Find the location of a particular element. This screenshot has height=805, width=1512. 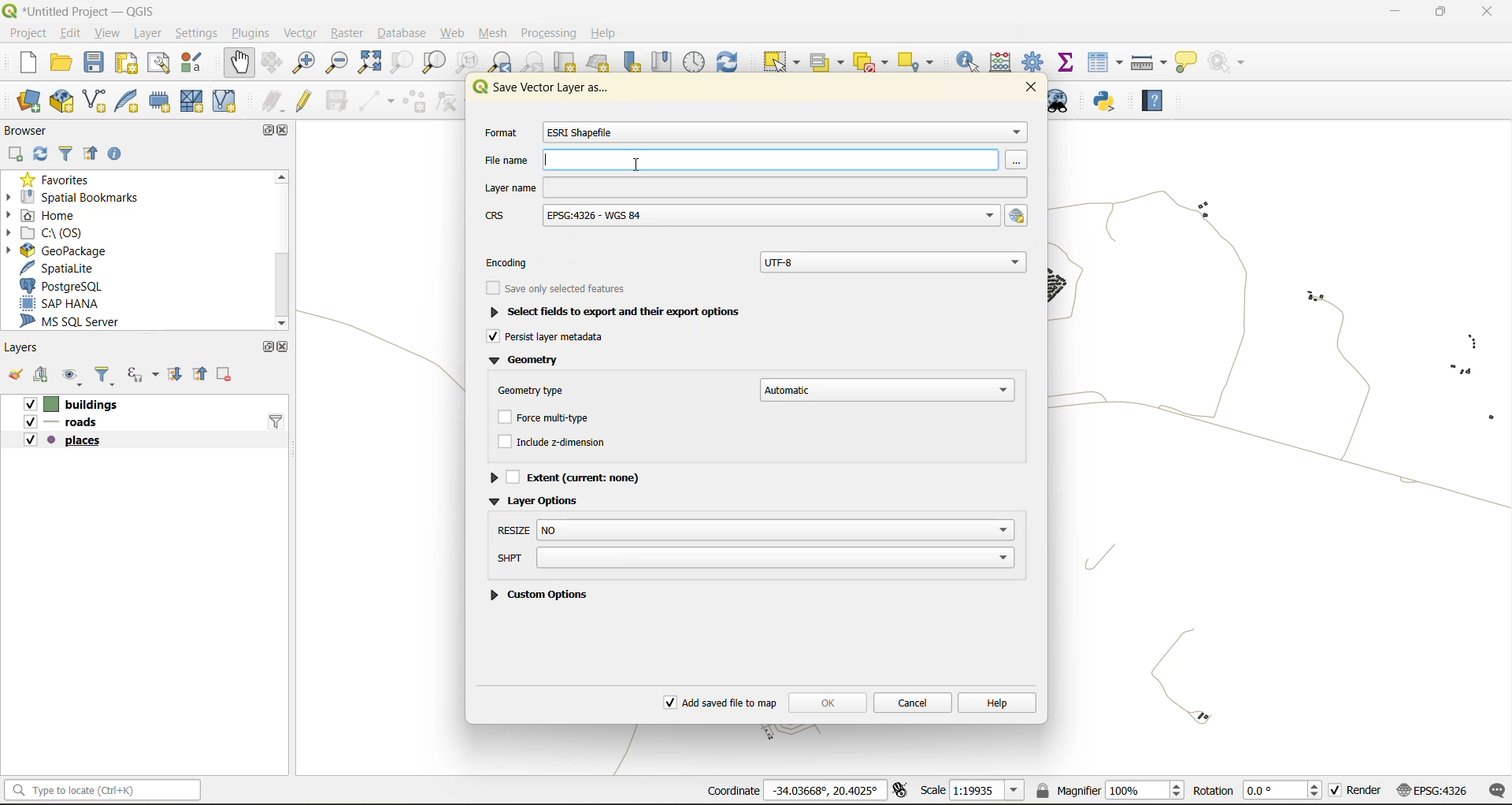

sap hana is located at coordinates (65, 304).